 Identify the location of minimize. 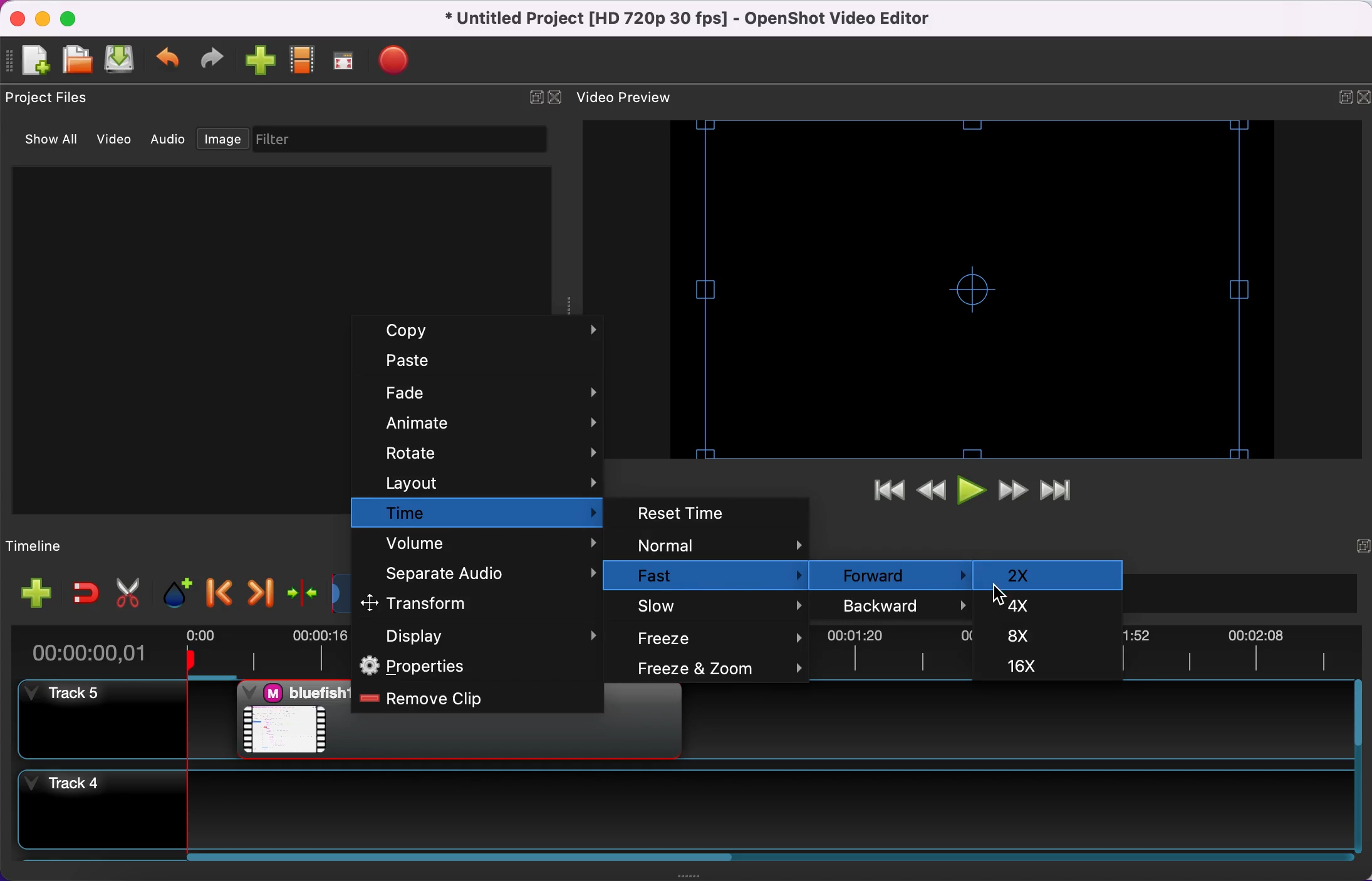
(44, 18).